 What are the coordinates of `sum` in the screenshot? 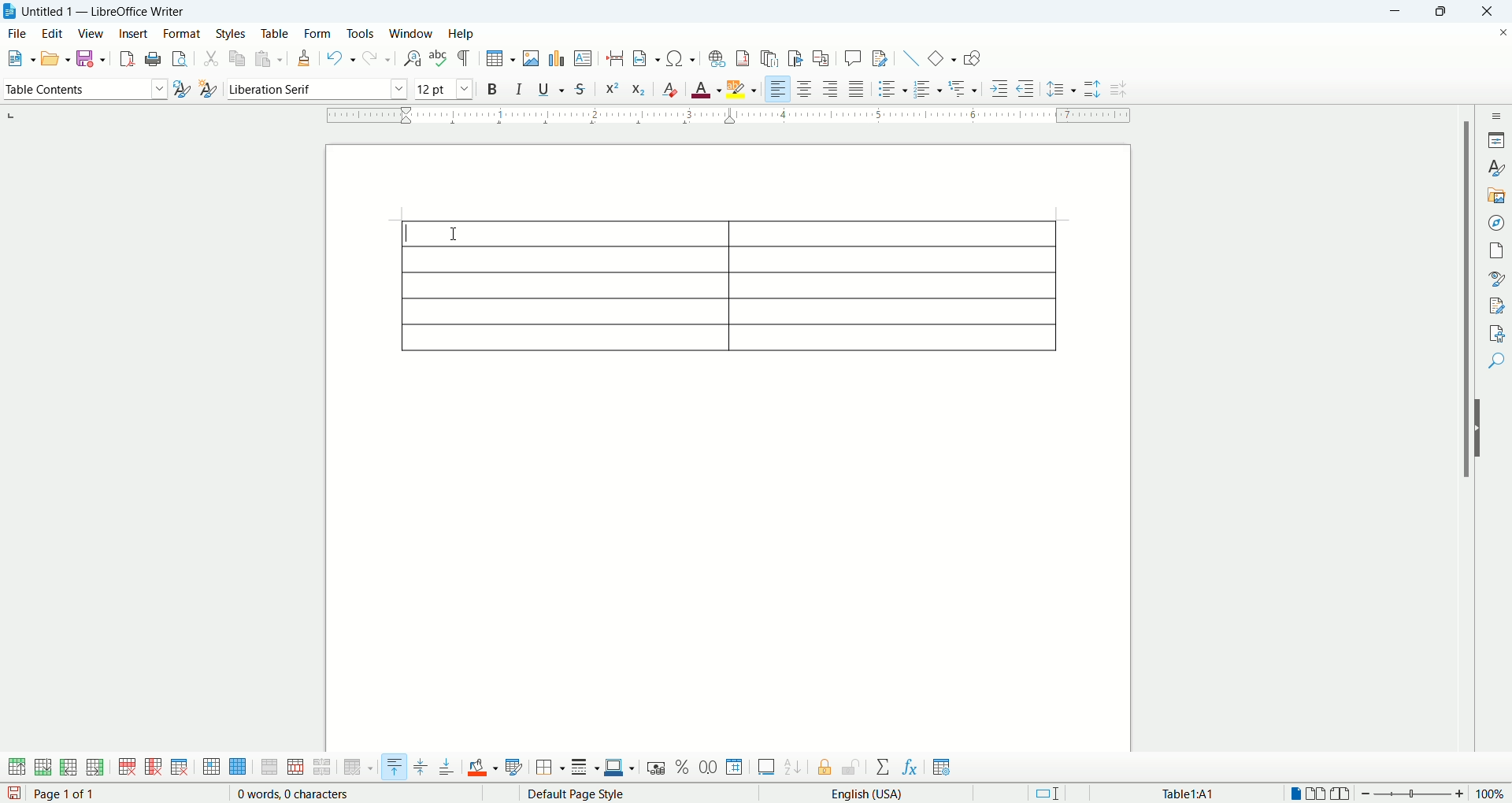 It's located at (885, 768).